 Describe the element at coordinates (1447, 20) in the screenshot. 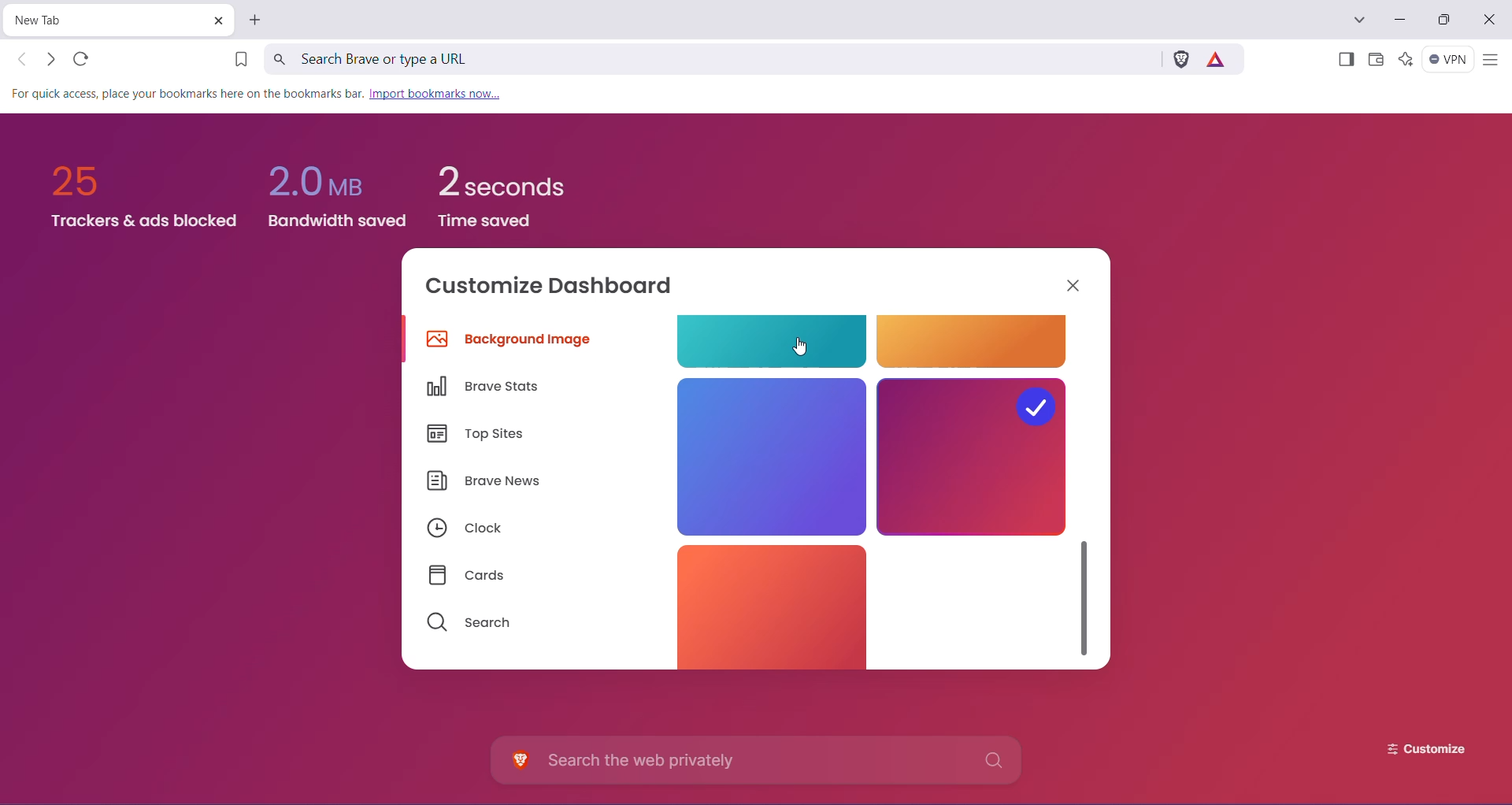

I see `Restore Down` at that location.